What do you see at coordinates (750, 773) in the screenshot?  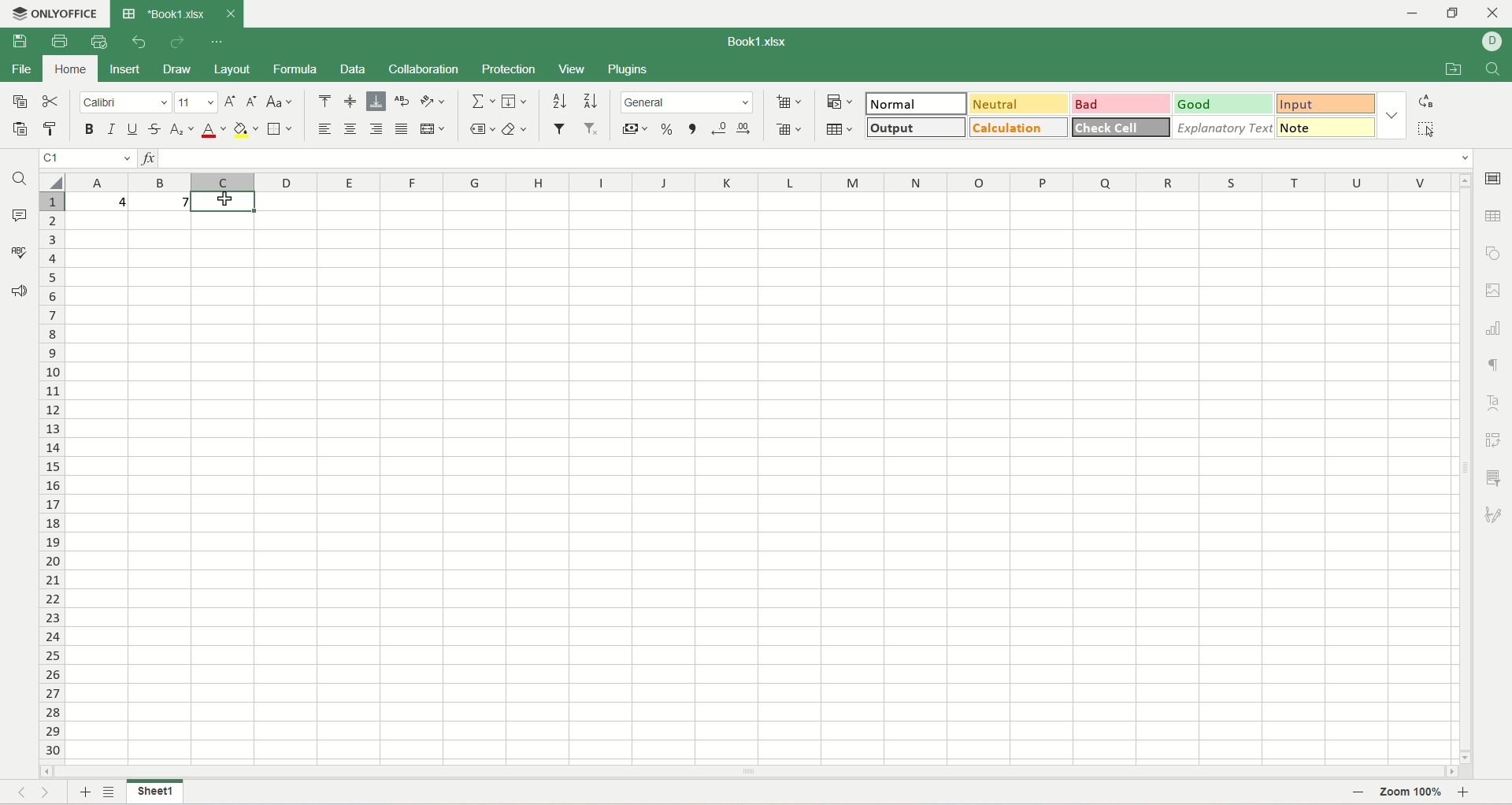 I see `horiontal scroll` at bounding box center [750, 773].